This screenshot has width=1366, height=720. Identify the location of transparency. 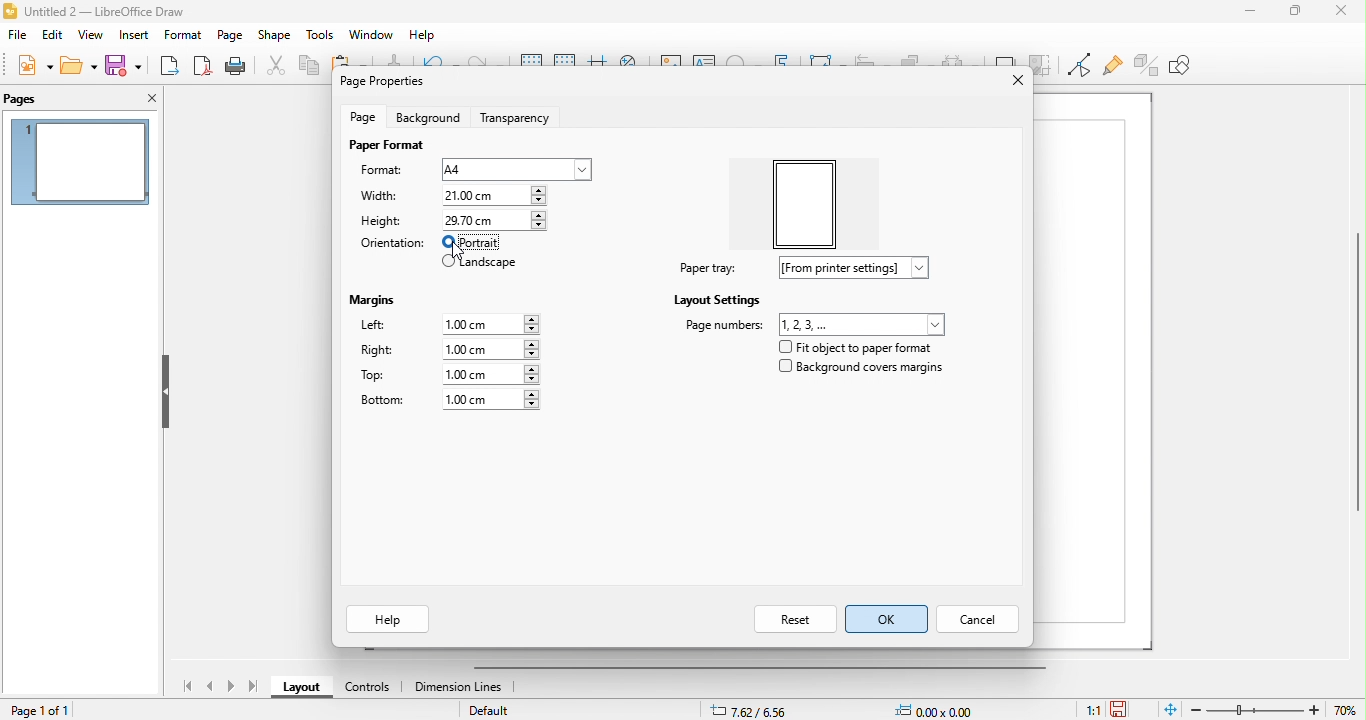
(519, 119).